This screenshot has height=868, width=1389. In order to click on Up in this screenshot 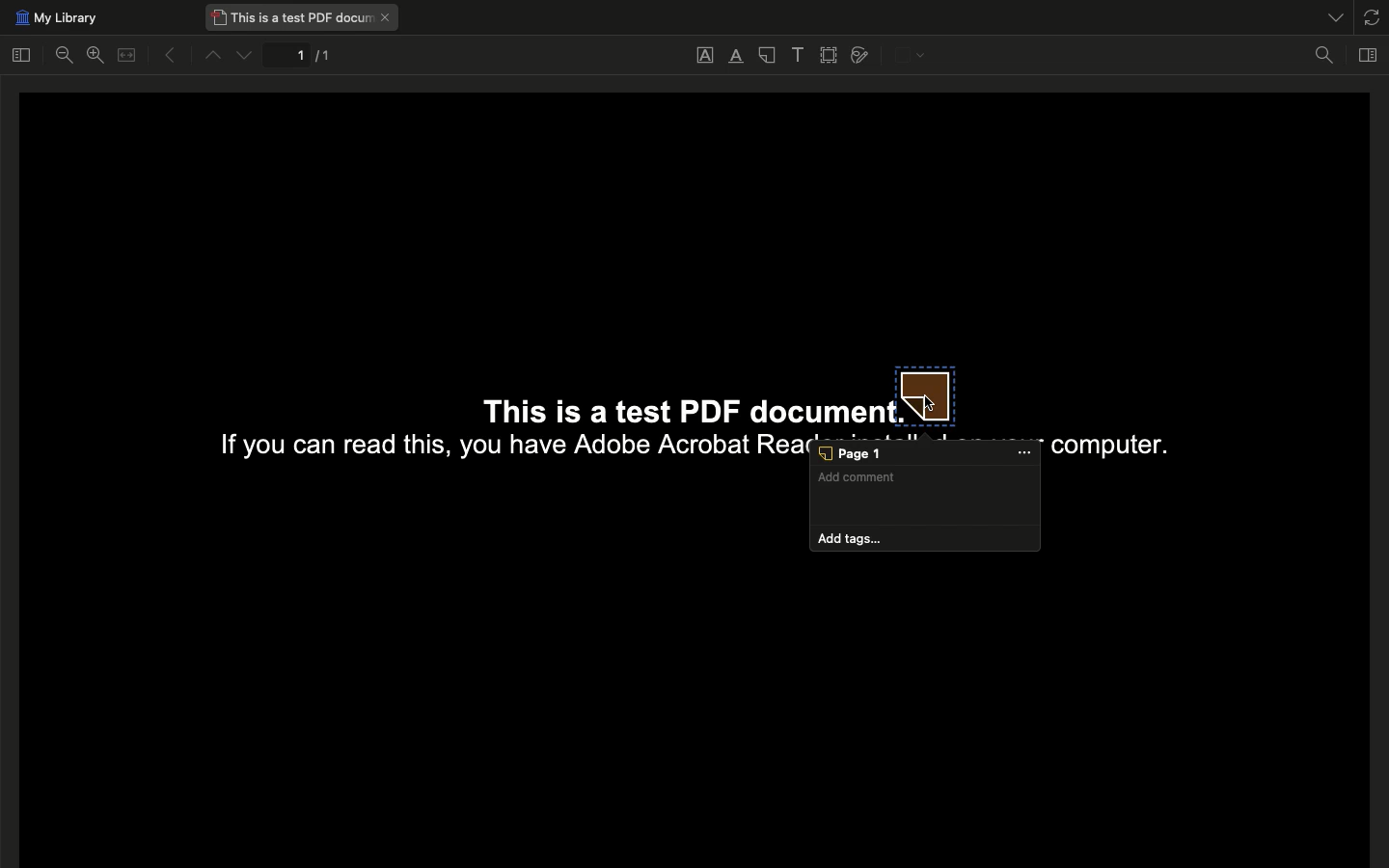, I will do `click(211, 57)`.